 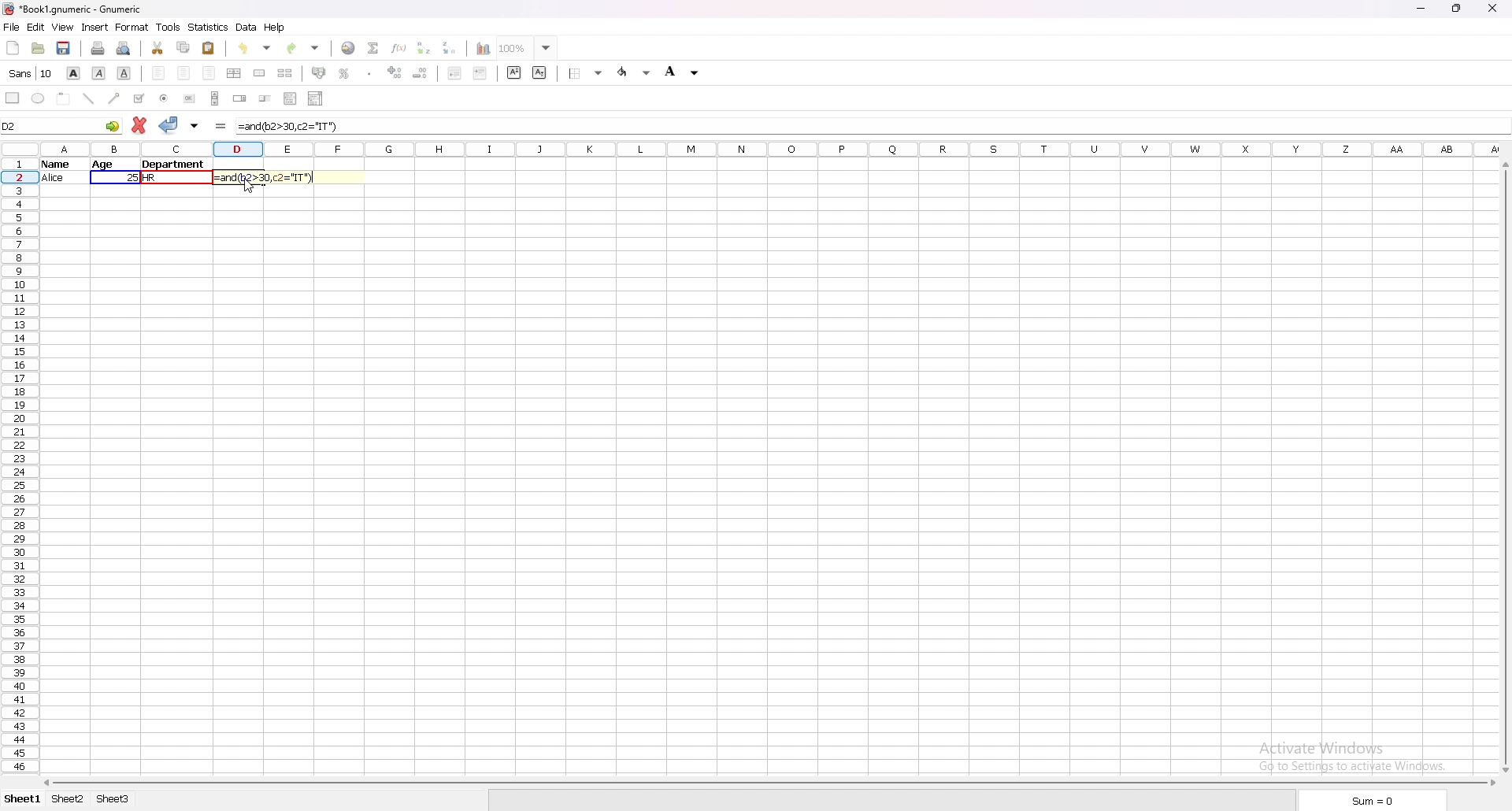 What do you see at coordinates (169, 27) in the screenshot?
I see `tools` at bounding box center [169, 27].